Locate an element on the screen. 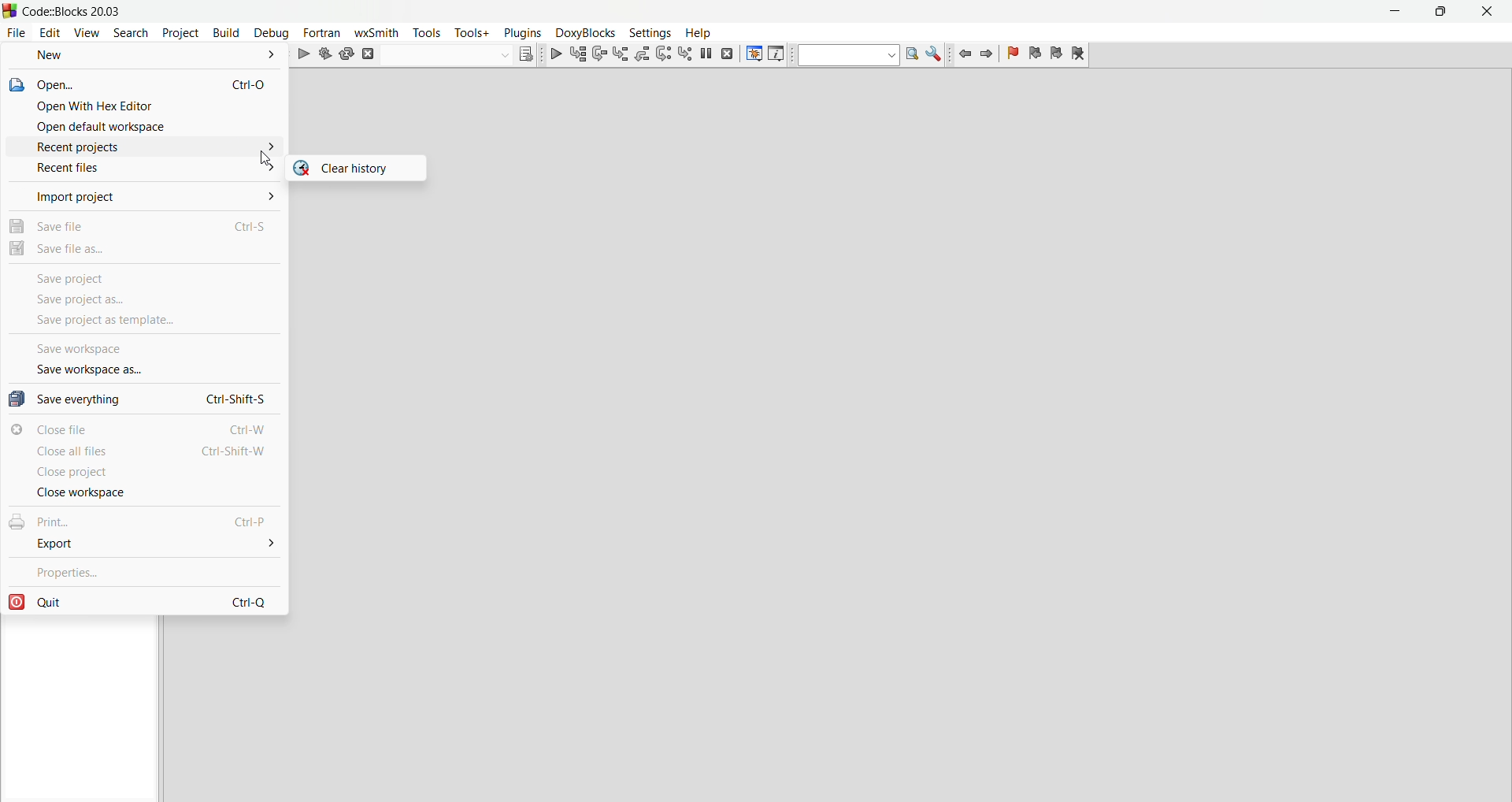 Image resolution: width=1512 pixels, height=802 pixels. settings is located at coordinates (648, 32).